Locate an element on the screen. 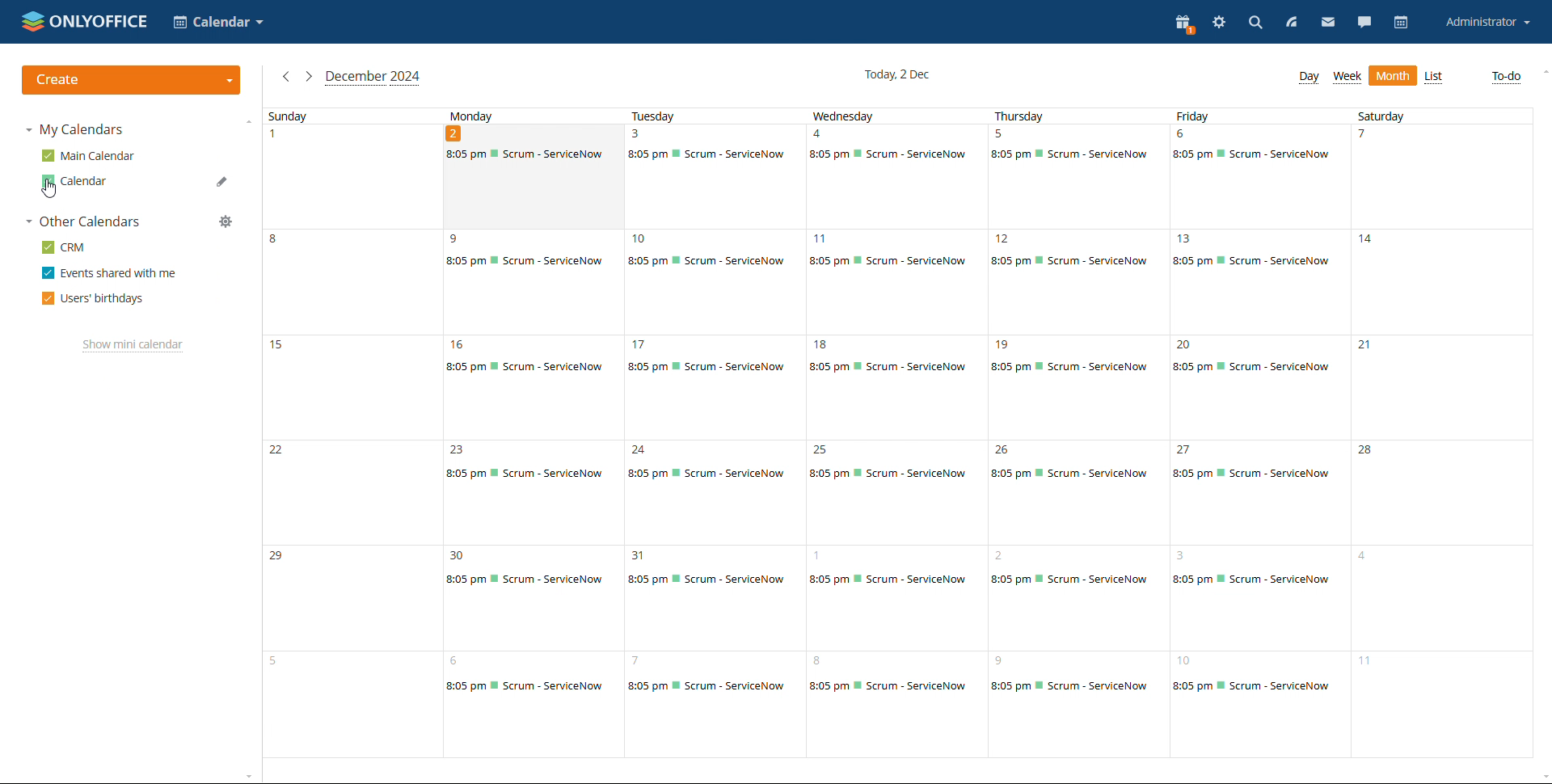  to-do is located at coordinates (1507, 76).